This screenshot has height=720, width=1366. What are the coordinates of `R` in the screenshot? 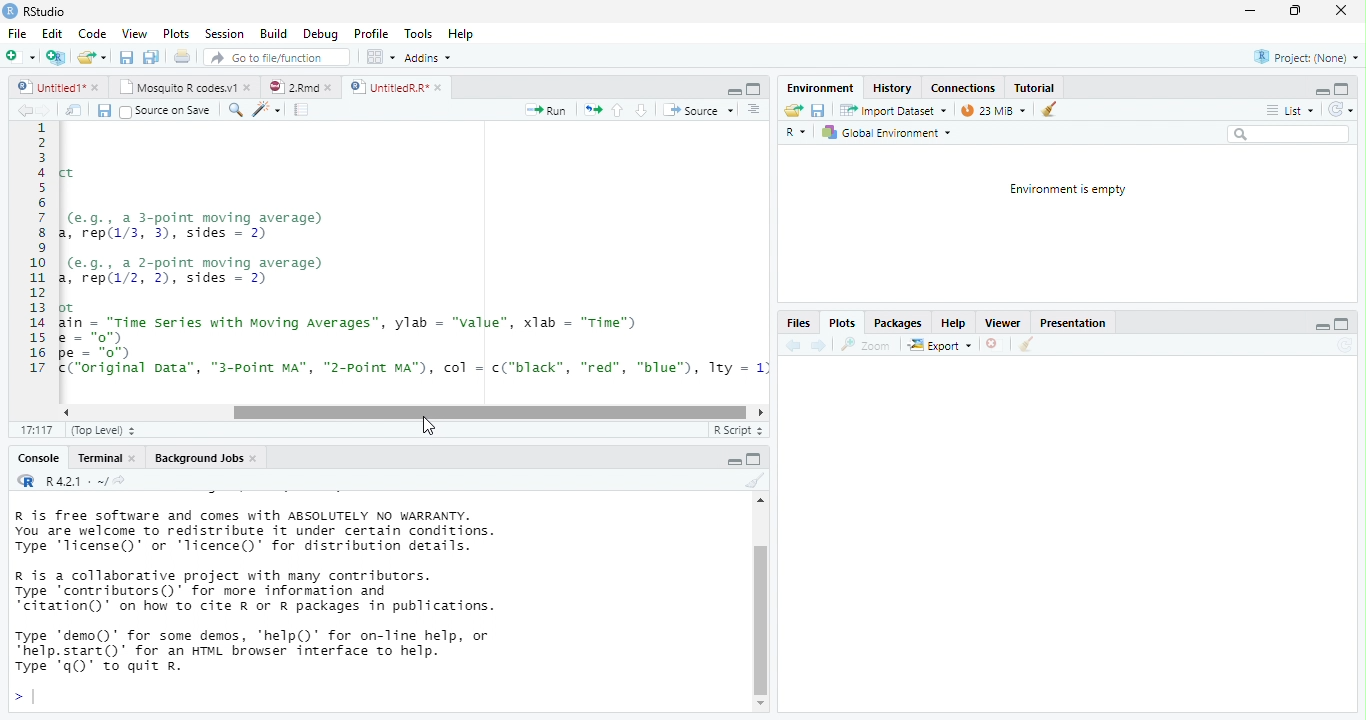 It's located at (24, 480).